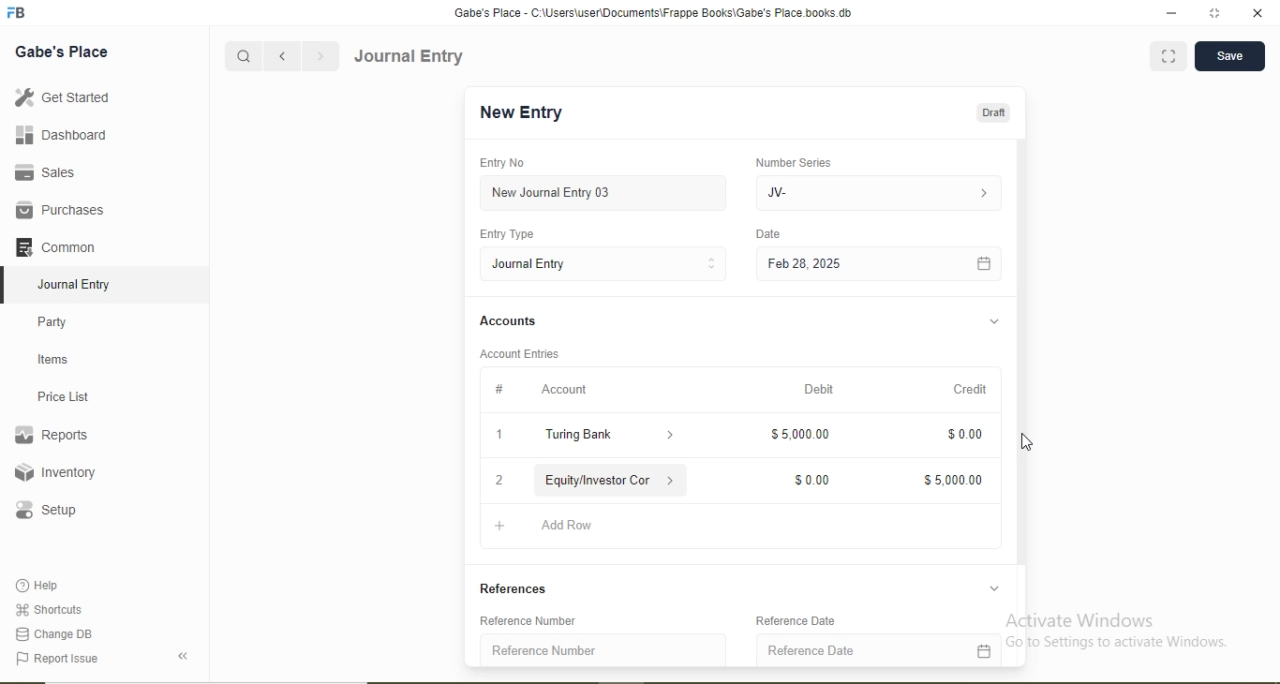 This screenshot has width=1280, height=684. Describe the element at coordinates (994, 588) in the screenshot. I see `Dropdown` at that location.